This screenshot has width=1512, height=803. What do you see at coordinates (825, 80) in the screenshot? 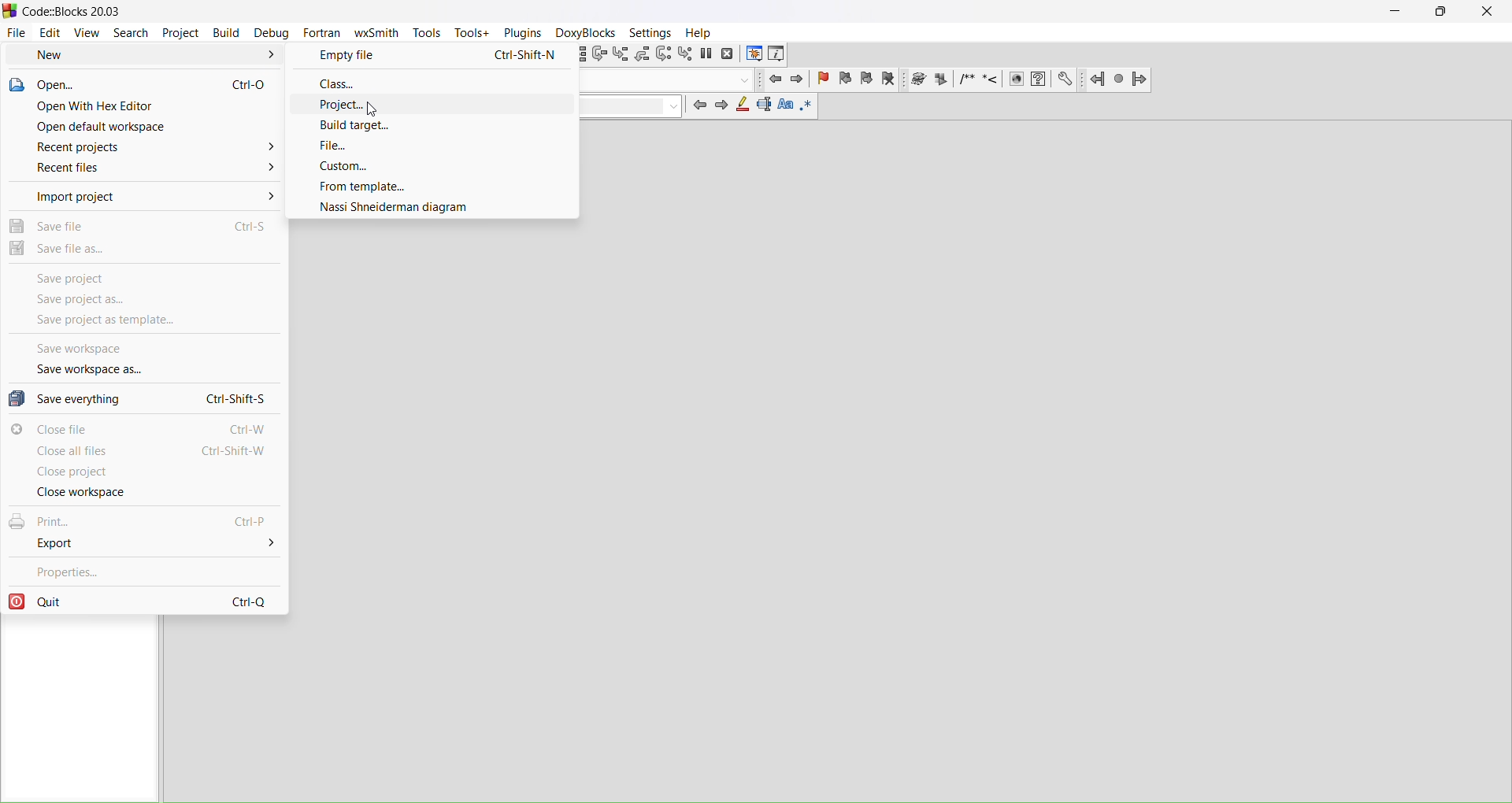
I see `toggle bookmark` at bounding box center [825, 80].